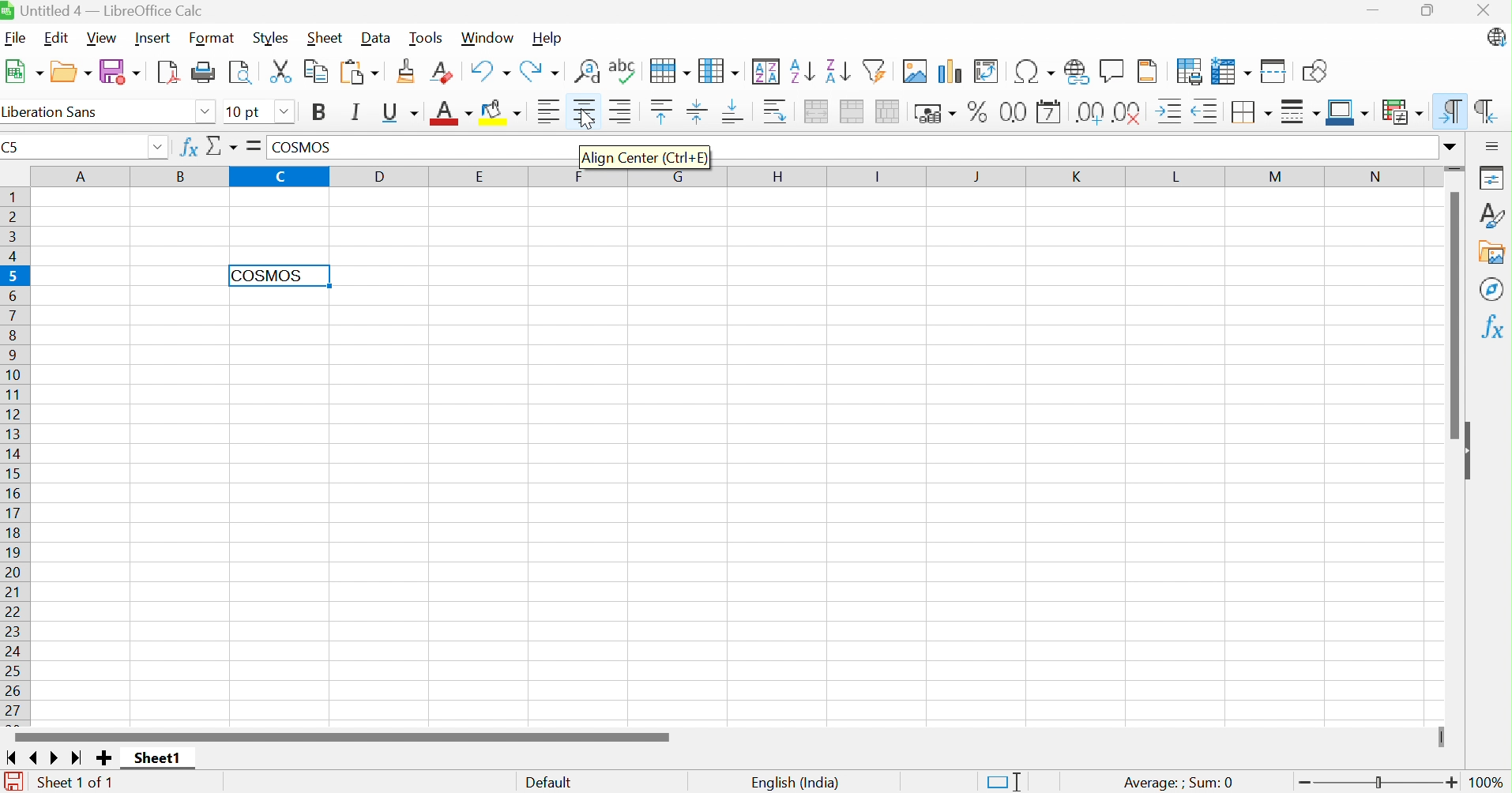 Image resolution: width=1512 pixels, height=793 pixels. Describe the element at coordinates (1300, 783) in the screenshot. I see `Zoom Out` at that location.